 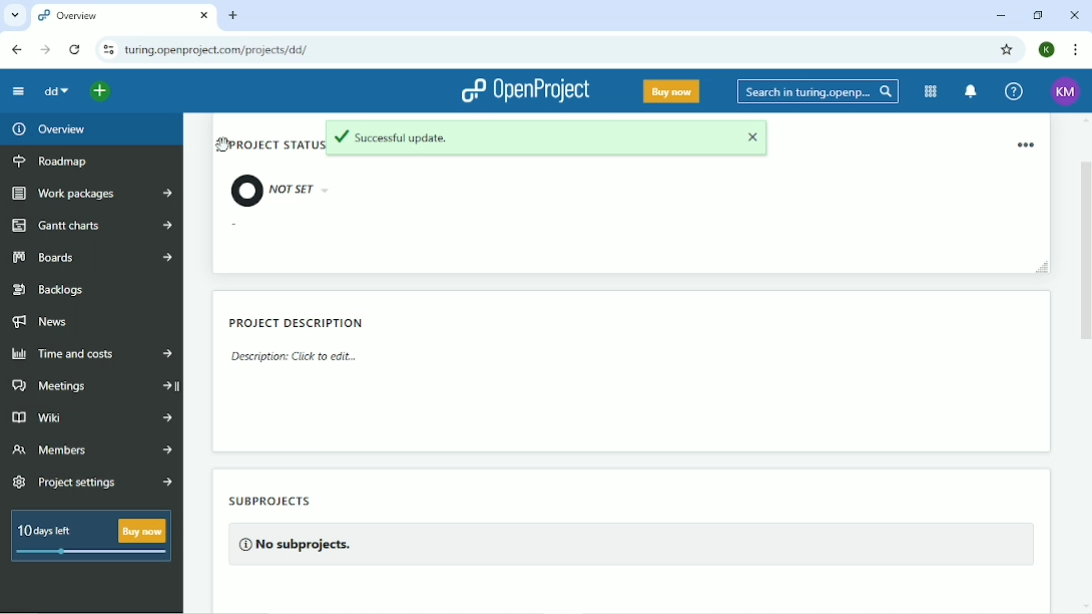 I want to click on Search, so click(x=818, y=91).